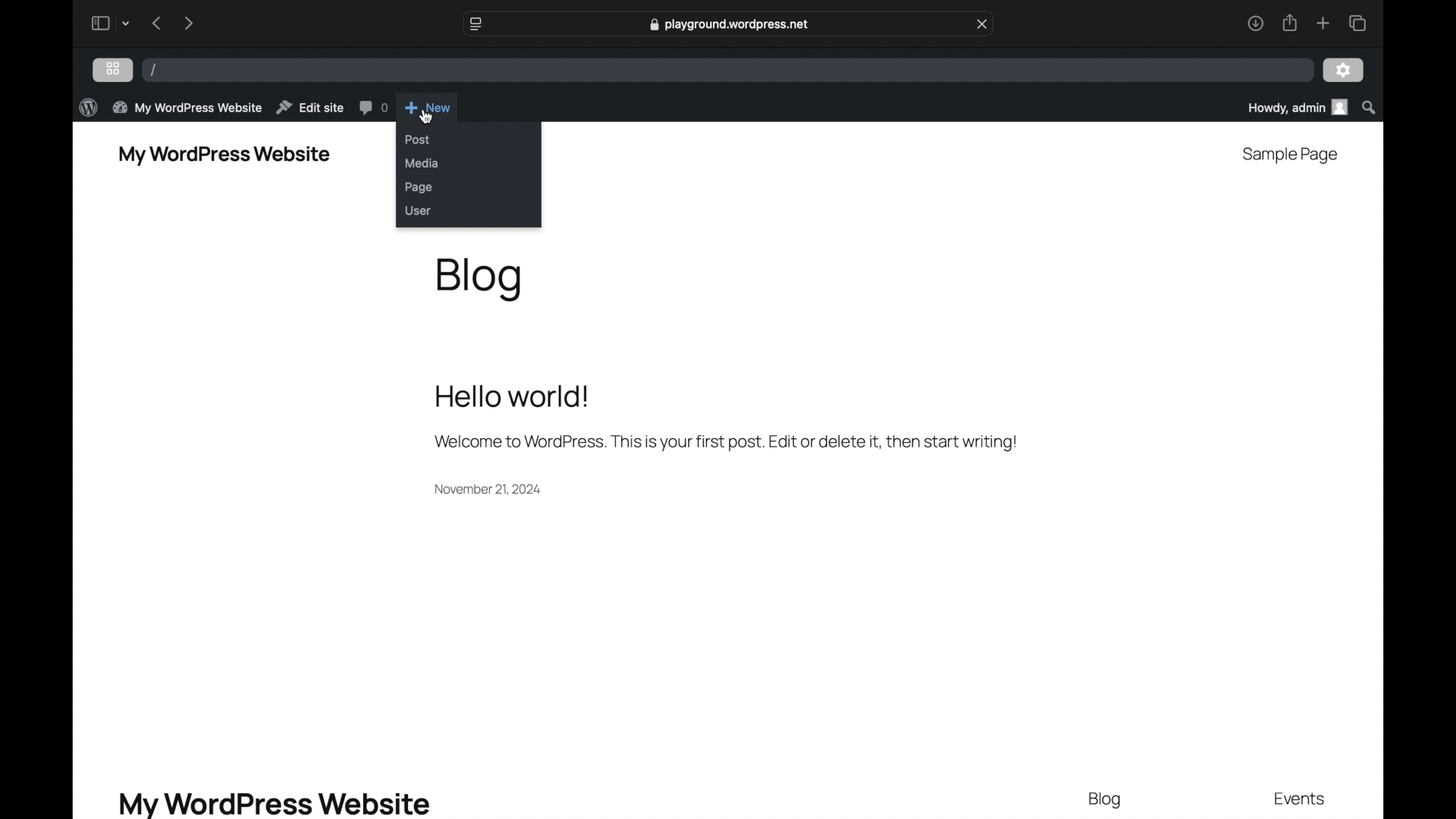 Image resolution: width=1456 pixels, height=819 pixels. Describe the element at coordinates (113, 68) in the screenshot. I see `grid view` at that location.